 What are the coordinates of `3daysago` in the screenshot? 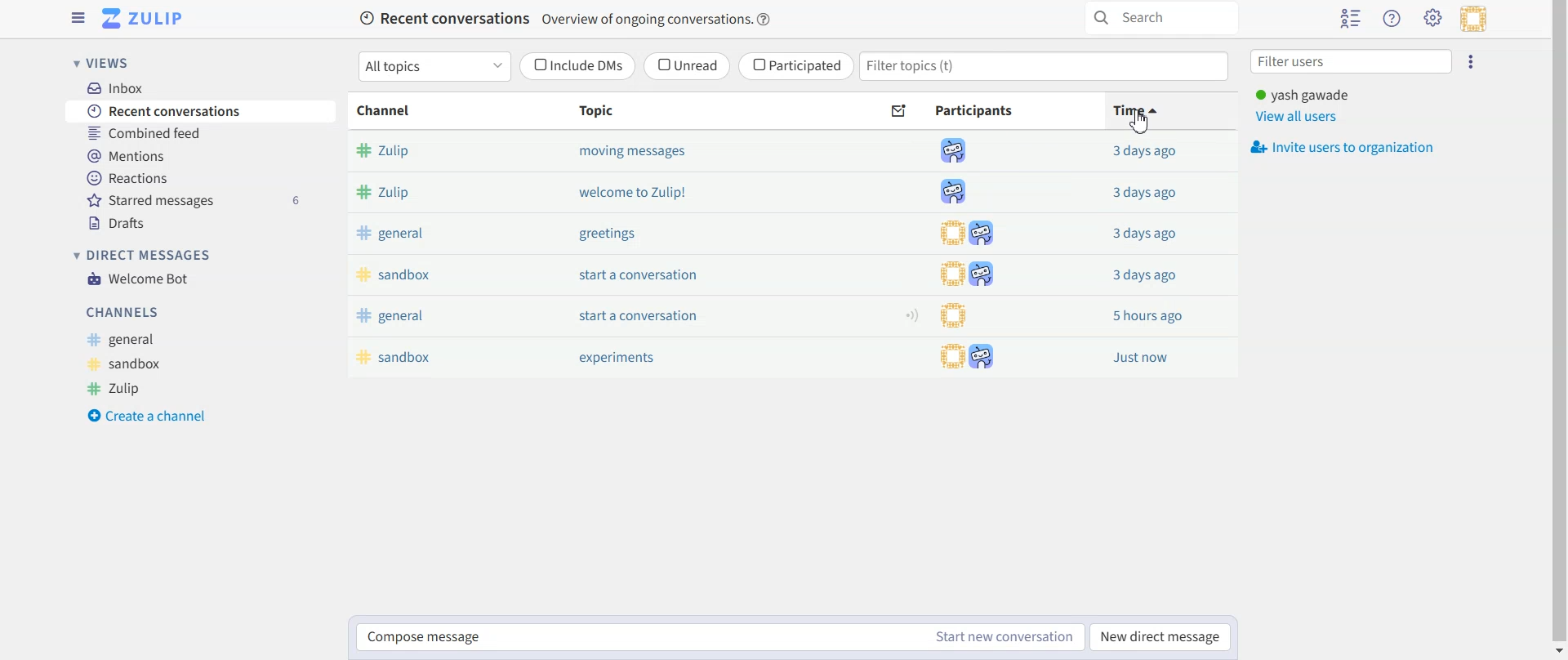 It's located at (1145, 274).